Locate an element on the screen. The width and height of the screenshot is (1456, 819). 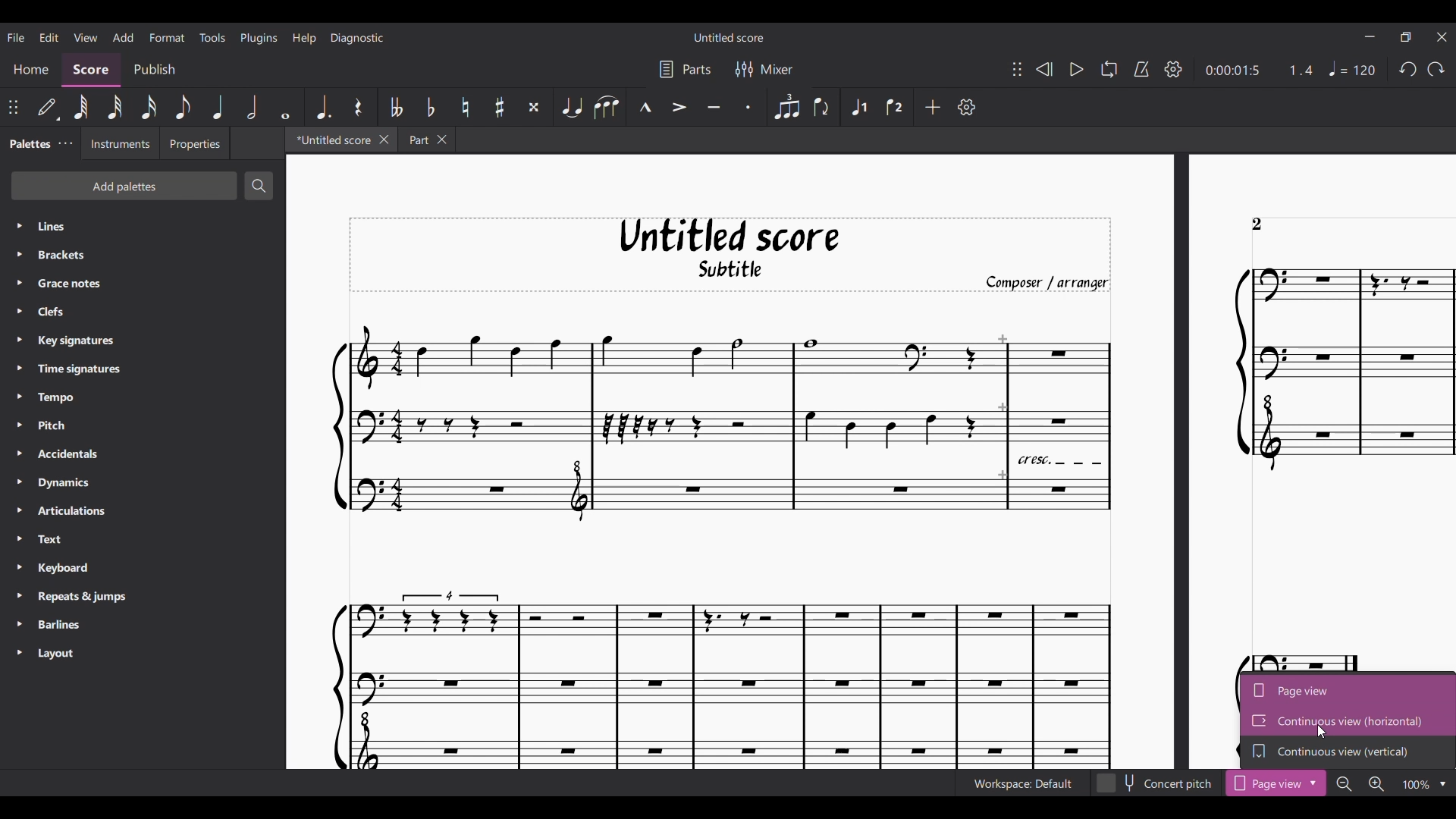
Publish section is located at coordinates (155, 70).